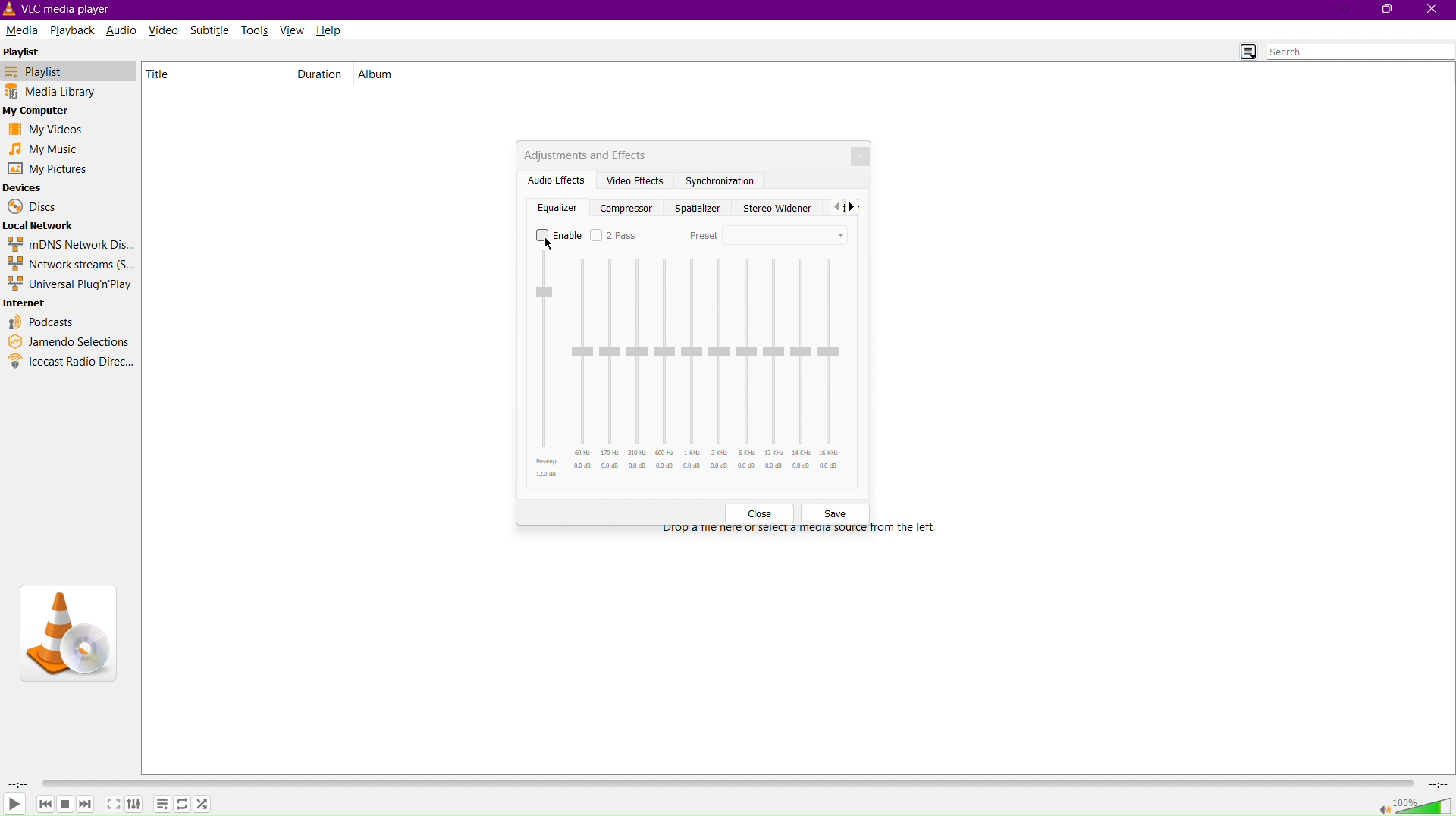  Describe the element at coordinates (70, 341) in the screenshot. I see `Jamendo Selections` at that location.